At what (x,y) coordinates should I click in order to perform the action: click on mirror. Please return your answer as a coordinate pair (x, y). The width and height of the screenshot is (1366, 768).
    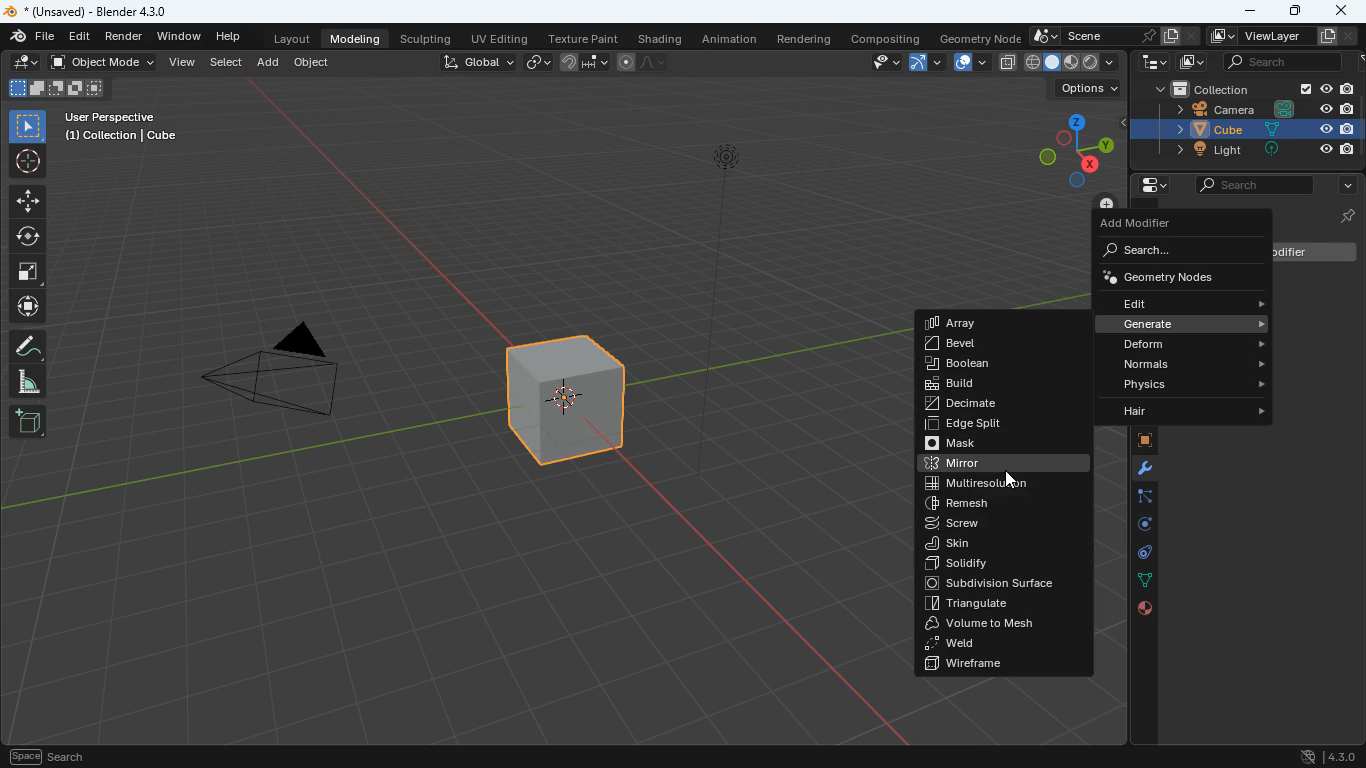
    Looking at the image, I should click on (1003, 465).